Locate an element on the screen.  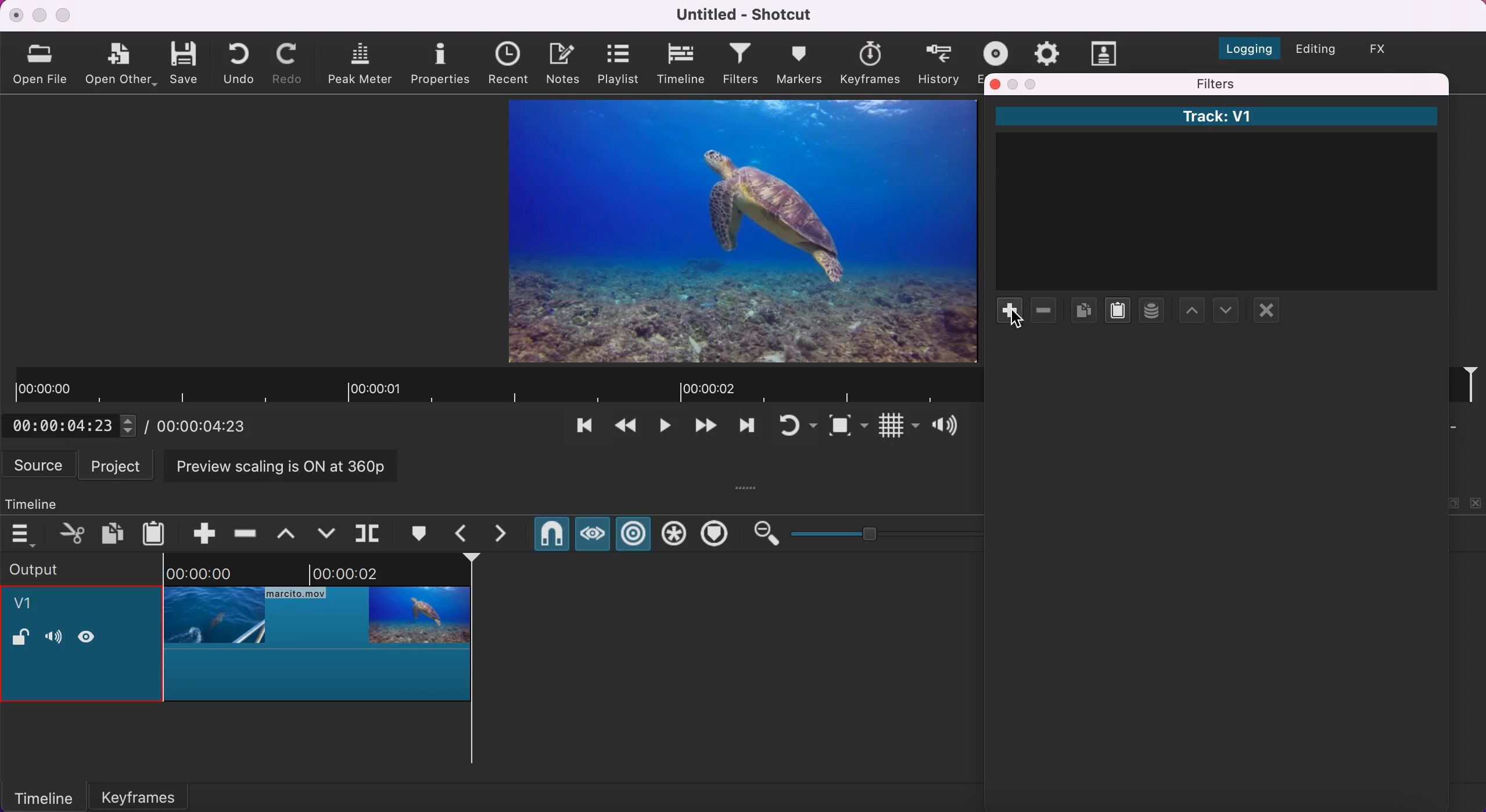
project is located at coordinates (119, 465).